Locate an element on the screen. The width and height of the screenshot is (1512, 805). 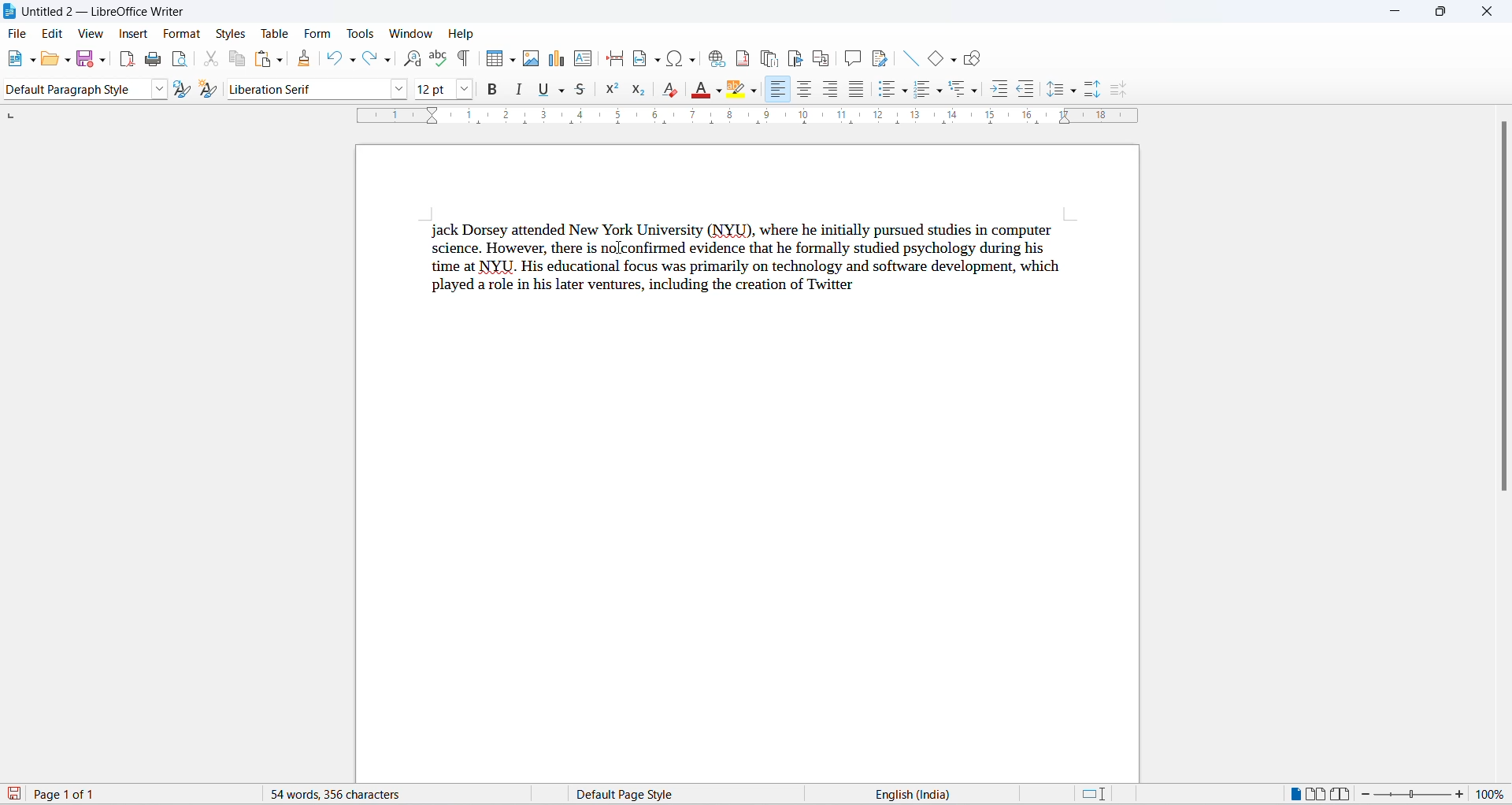
strike through is located at coordinates (584, 93).